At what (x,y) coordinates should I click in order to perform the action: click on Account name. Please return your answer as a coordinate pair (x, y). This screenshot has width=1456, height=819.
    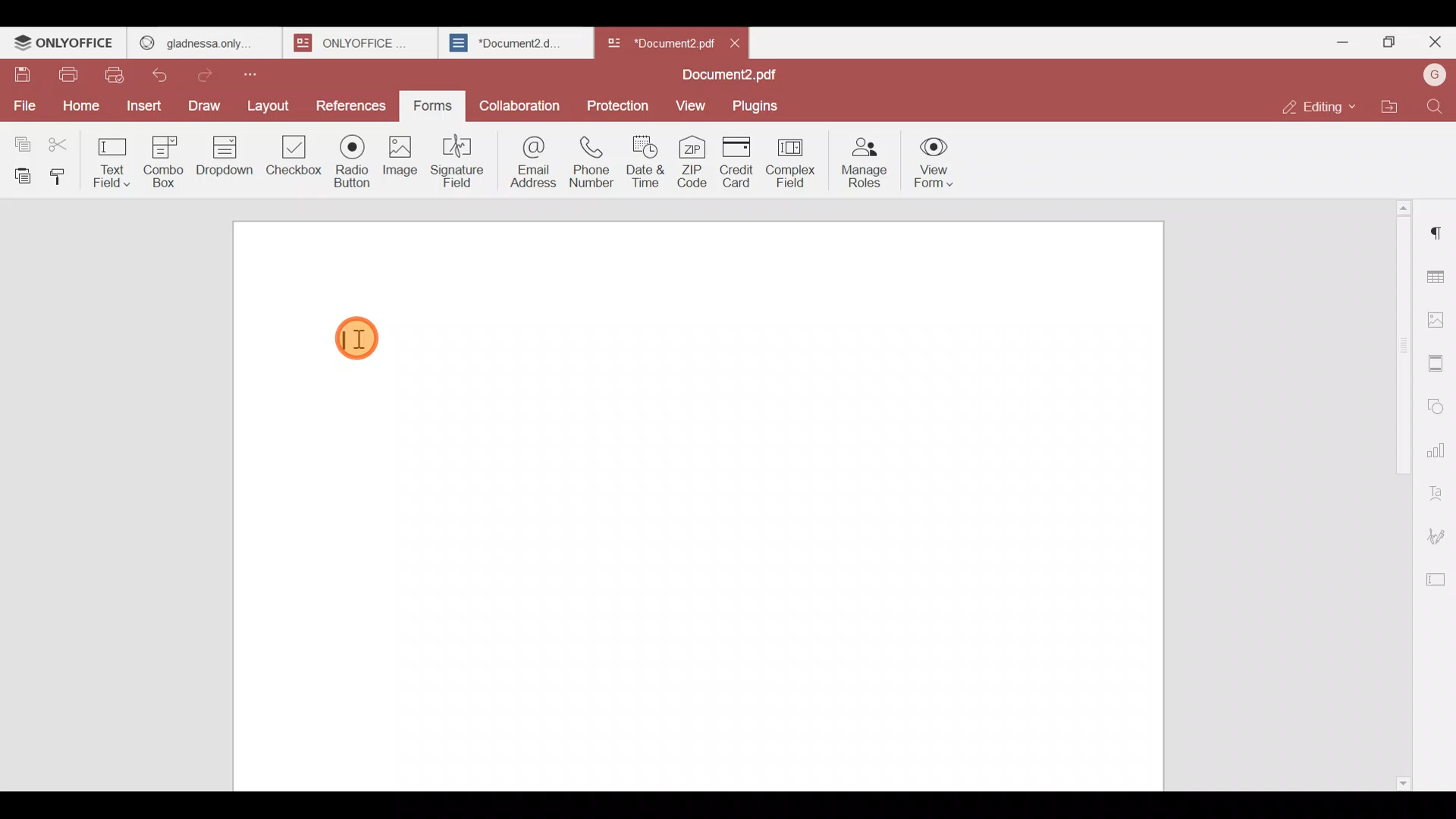
    Looking at the image, I should click on (1434, 75).